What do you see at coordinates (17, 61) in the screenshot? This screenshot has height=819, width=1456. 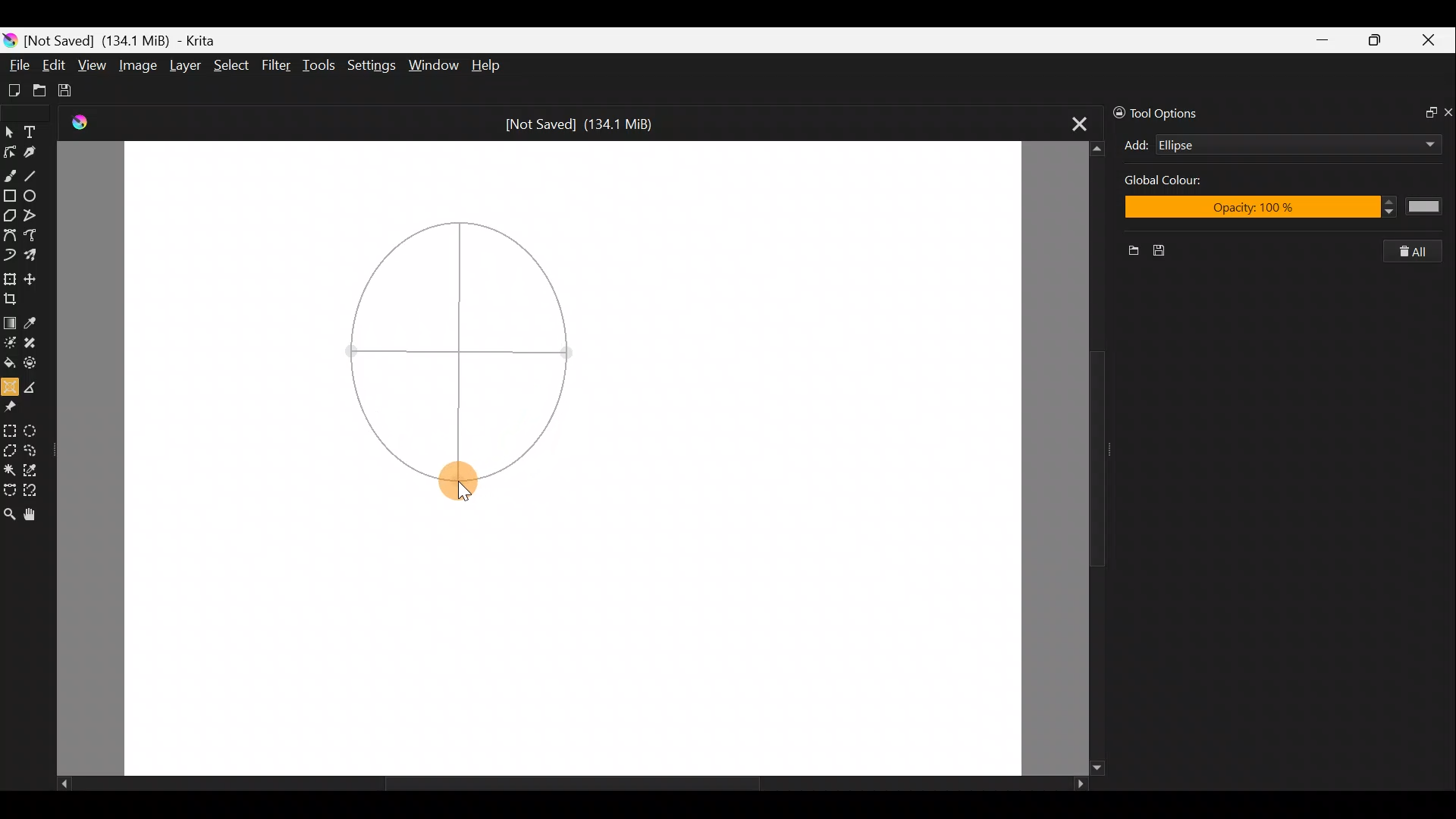 I see `File` at bounding box center [17, 61].